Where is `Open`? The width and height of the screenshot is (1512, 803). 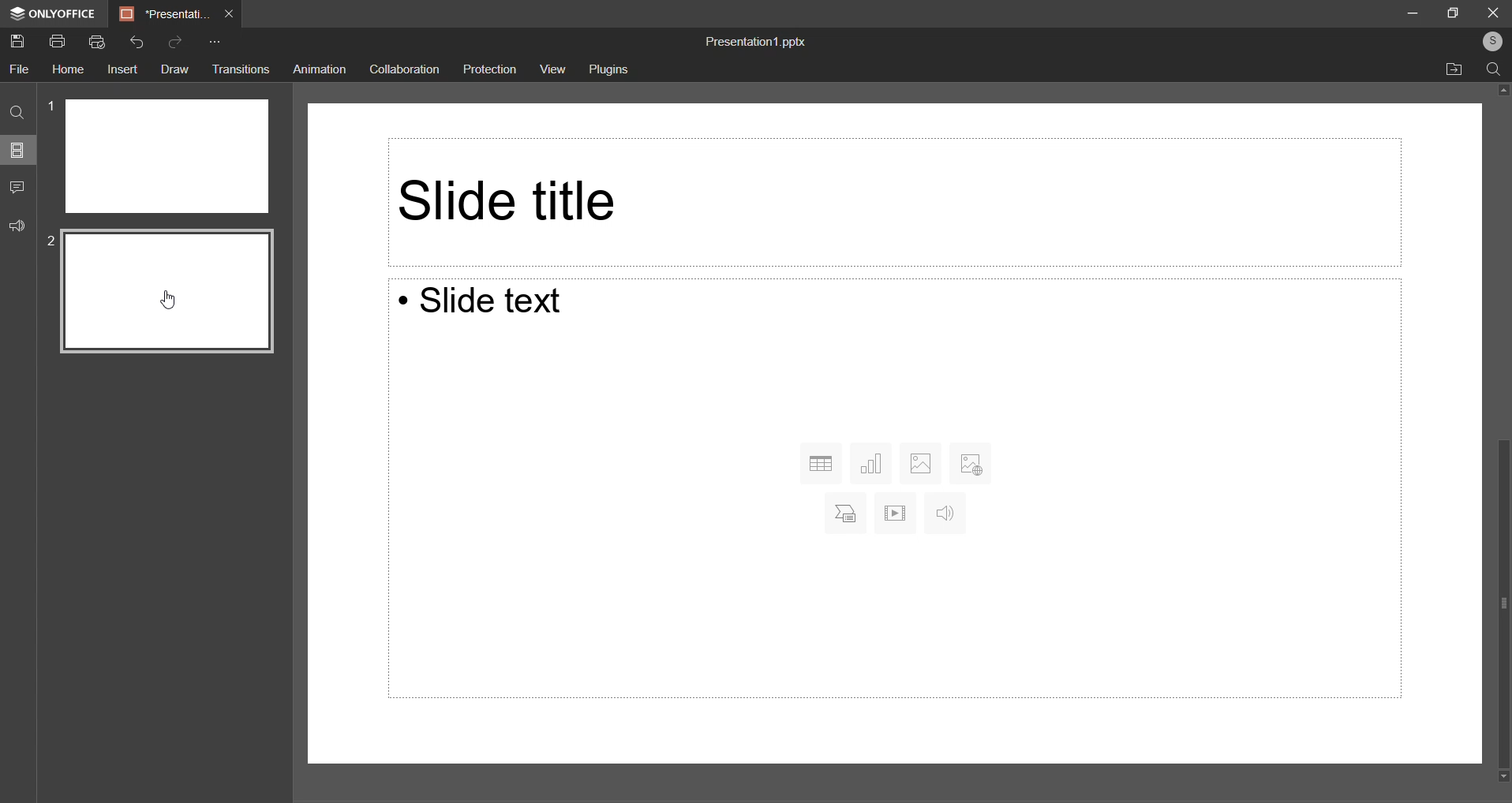
Open is located at coordinates (1455, 69).